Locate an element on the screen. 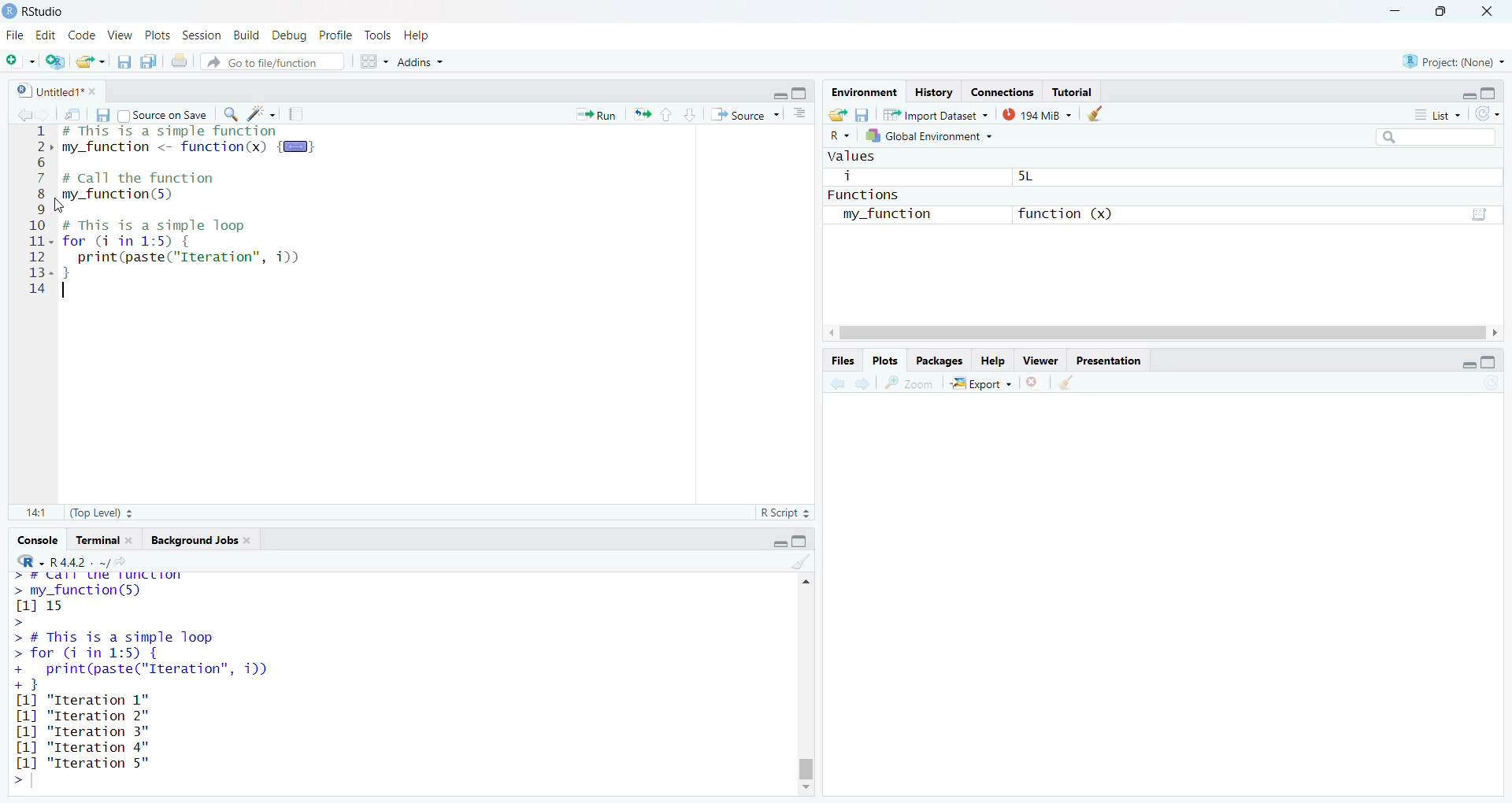 The height and width of the screenshot is (803, 1512). workspace panes is located at coordinates (372, 60).